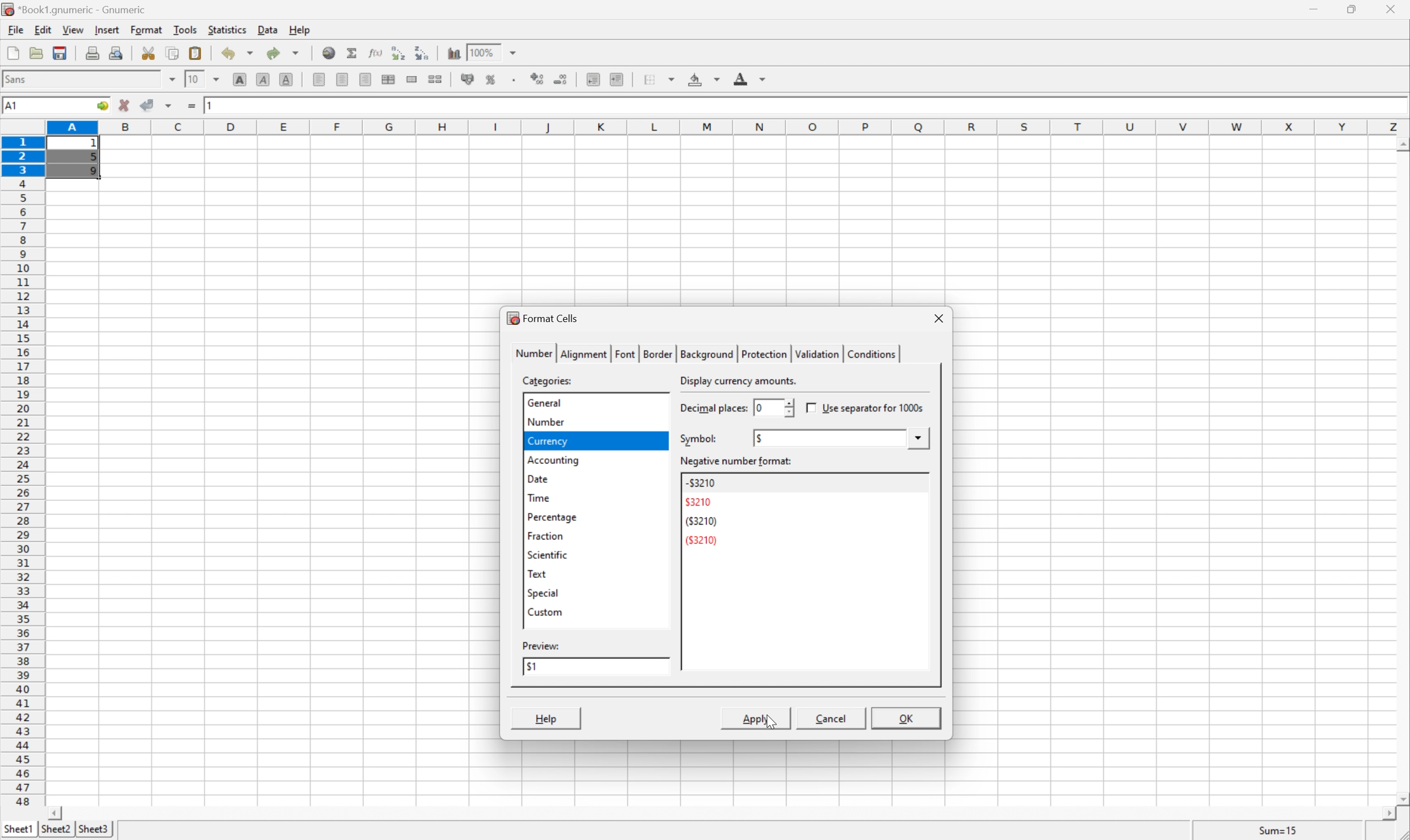 The width and height of the screenshot is (1410, 840). Describe the element at coordinates (226, 29) in the screenshot. I see `statistics` at that location.